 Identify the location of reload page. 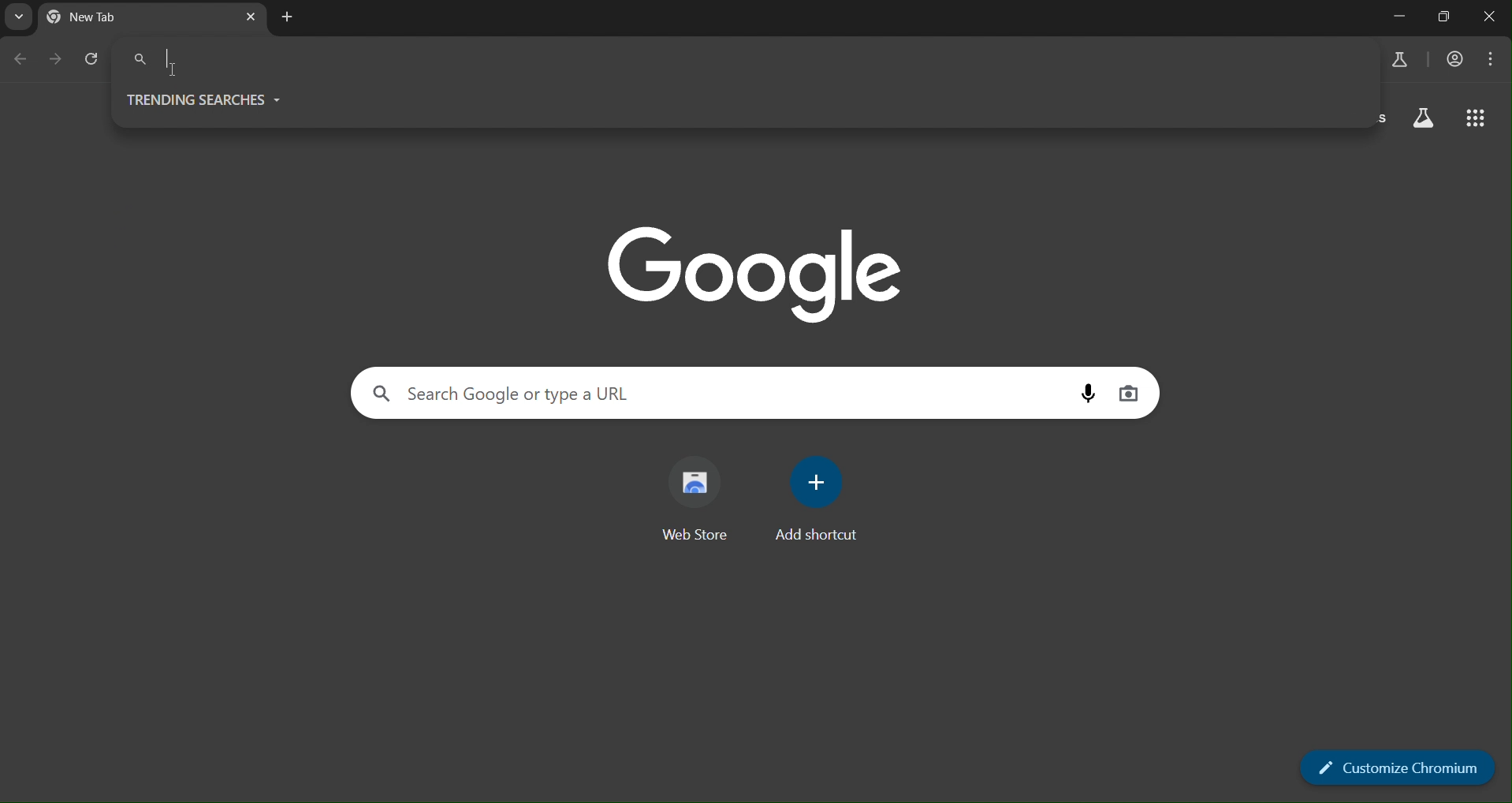
(94, 60).